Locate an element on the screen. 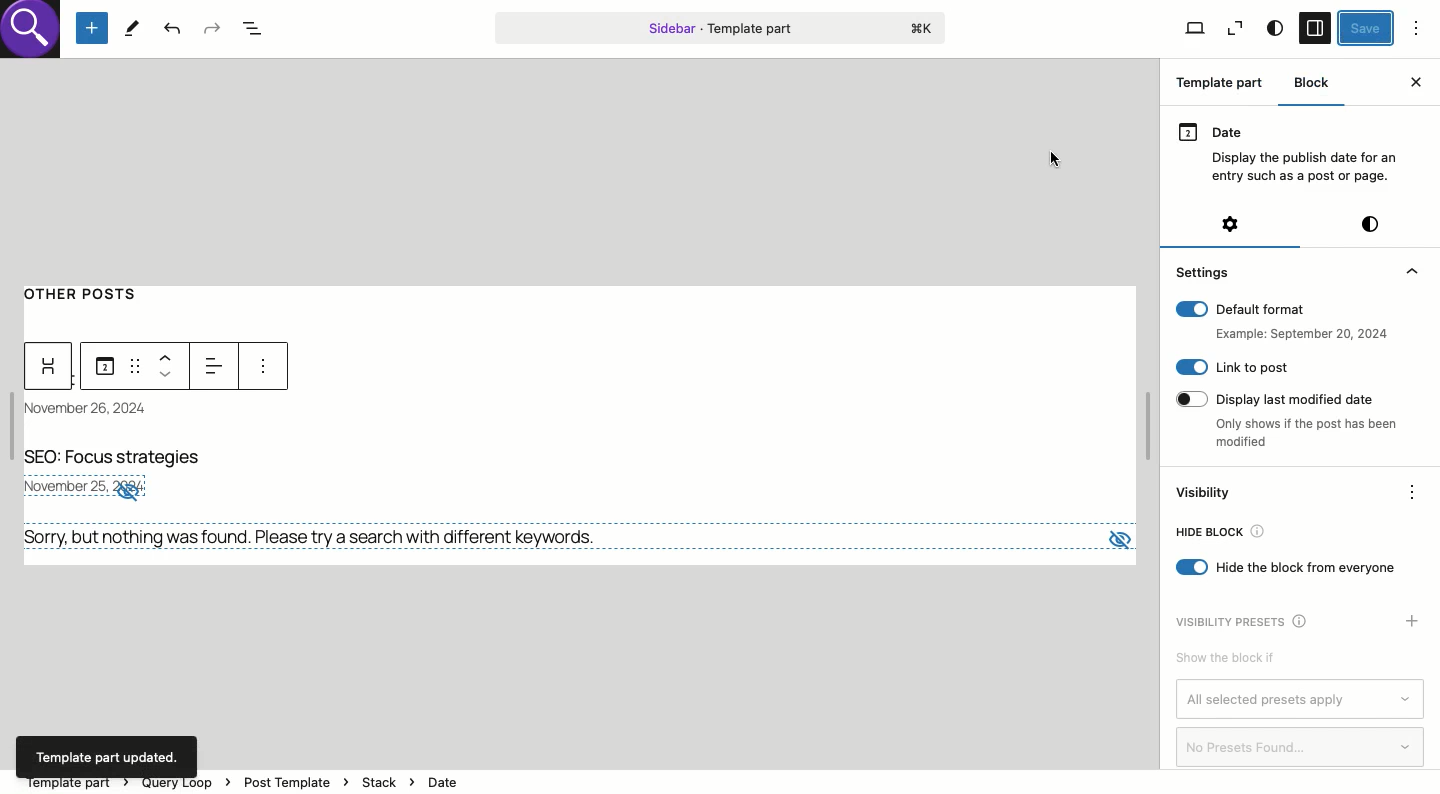  Left alignment is located at coordinates (217, 363).